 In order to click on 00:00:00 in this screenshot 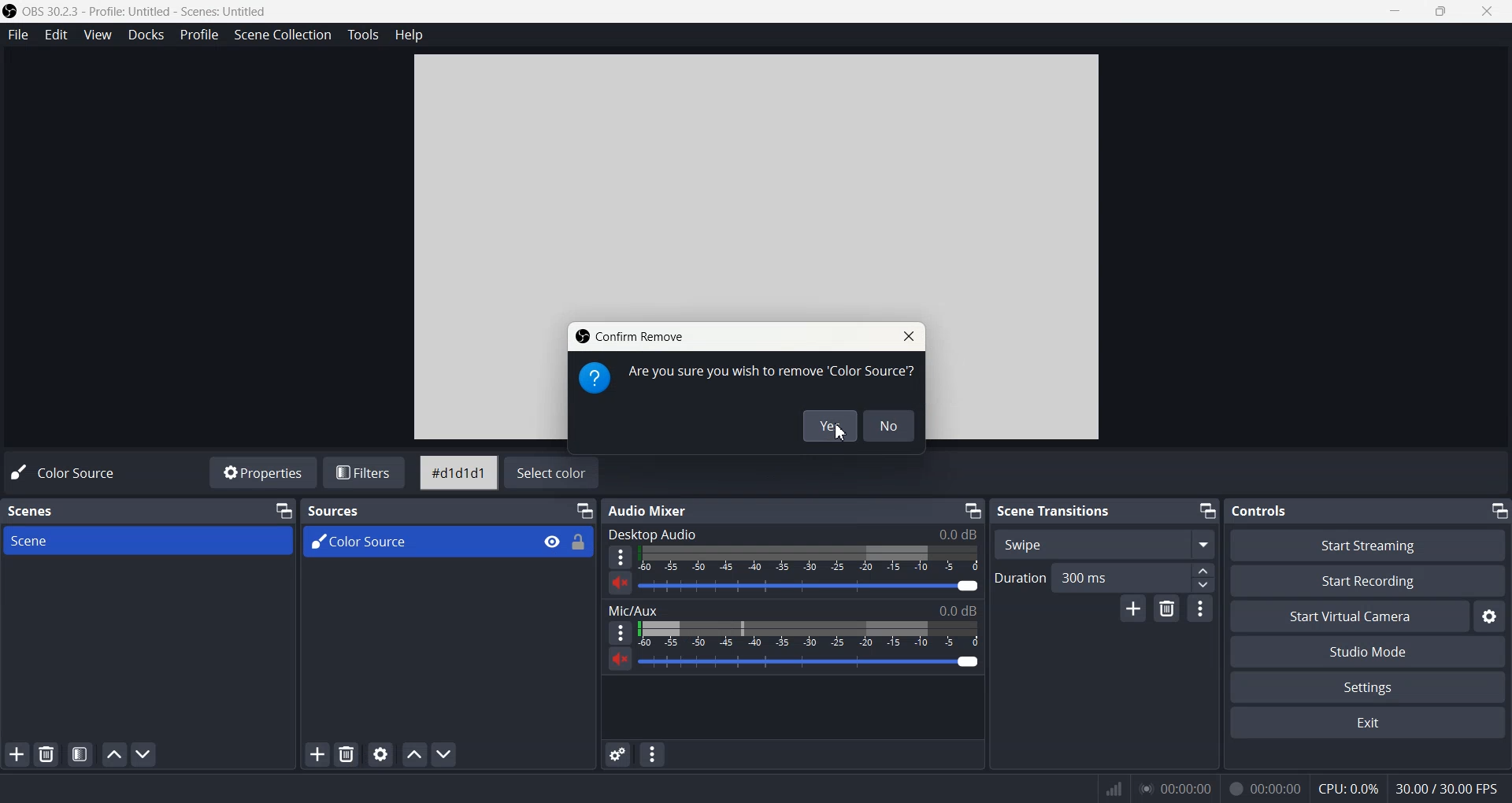, I will do `click(1173, 787)`.